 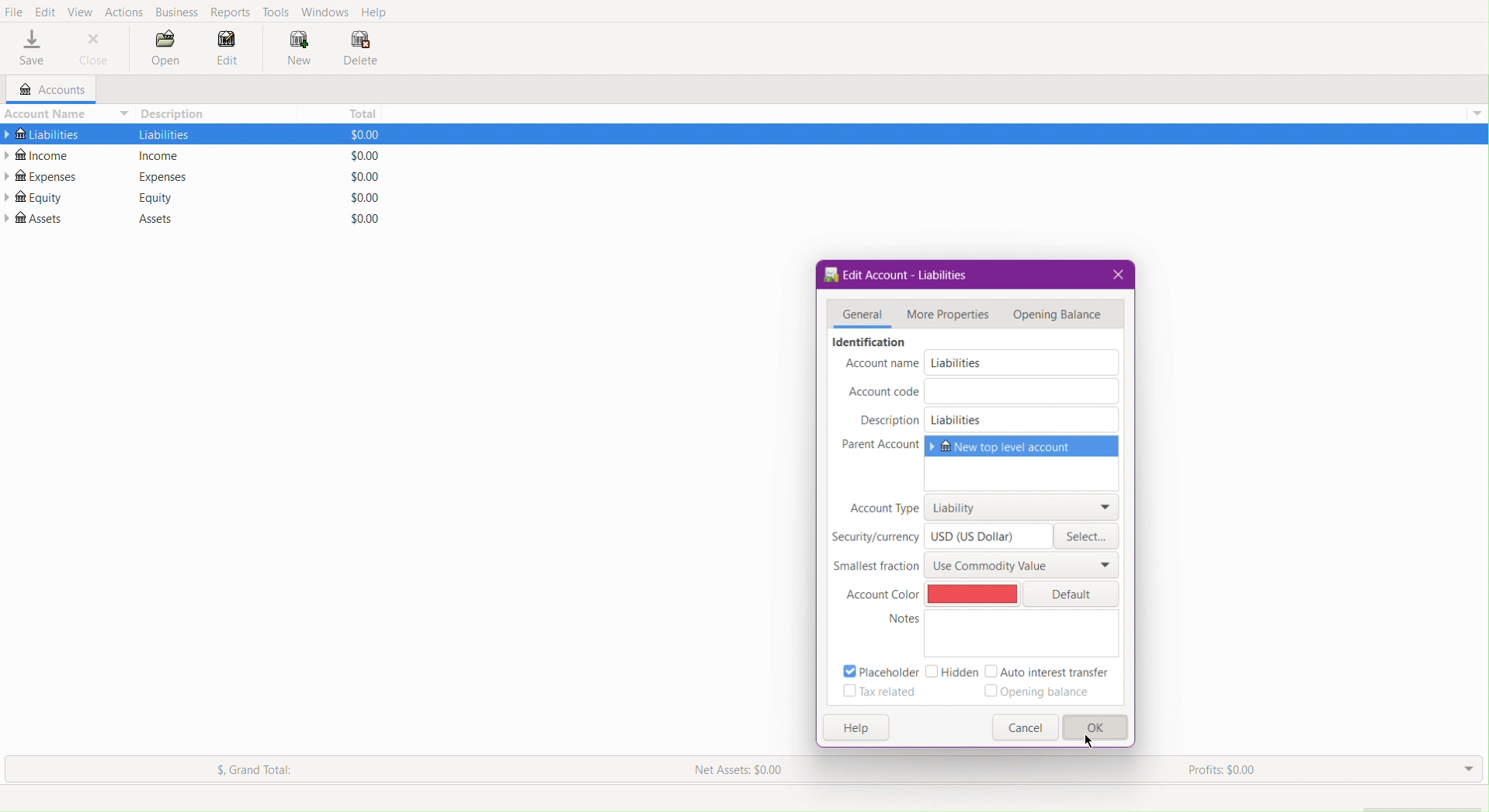 What do you see at coordinates (45, 10) in the screenshot?
I see `Edit` at bounding box center [45, 10].